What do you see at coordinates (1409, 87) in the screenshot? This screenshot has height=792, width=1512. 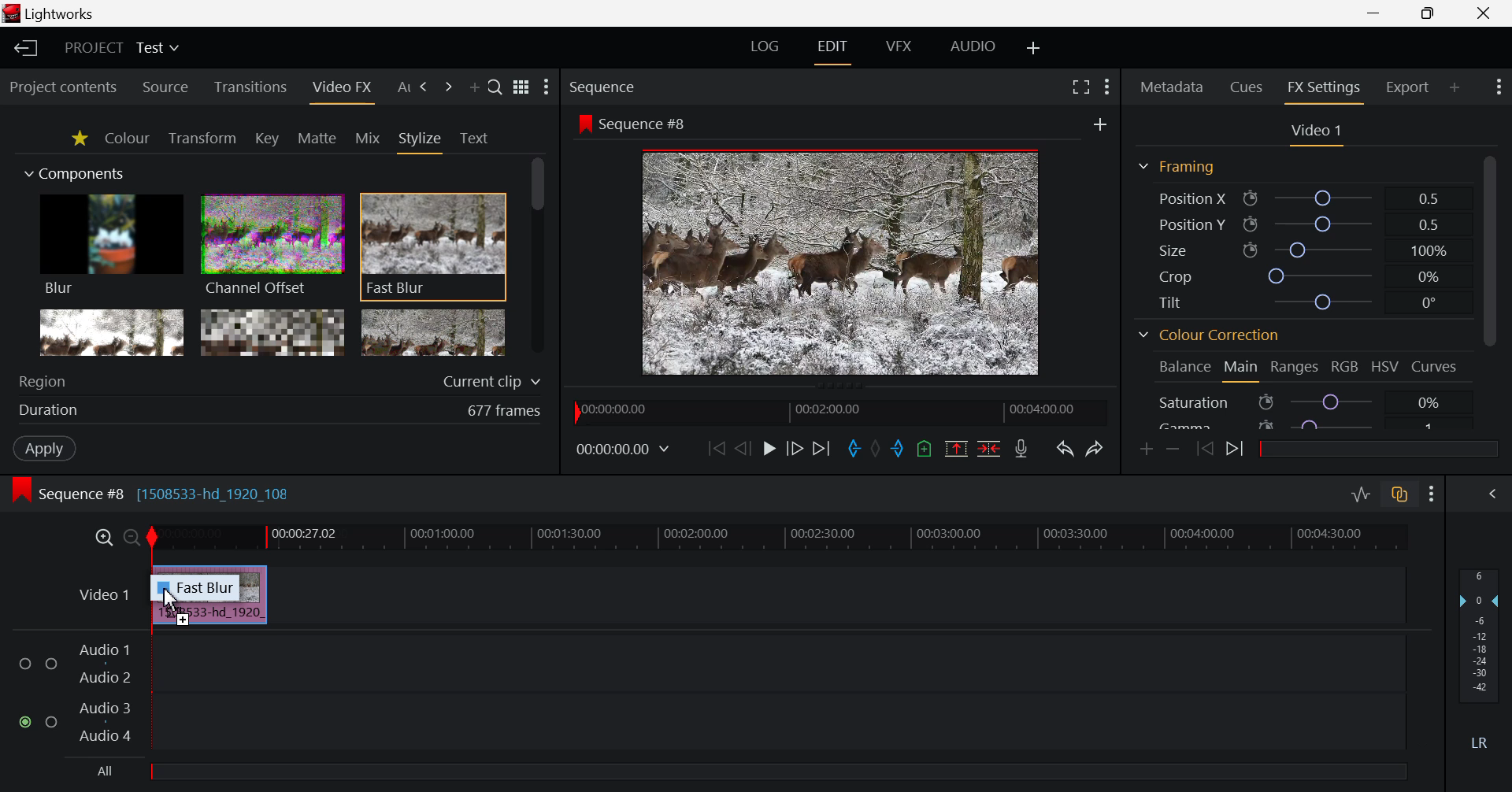 I see `Export` at bounding box center [1409, 87].